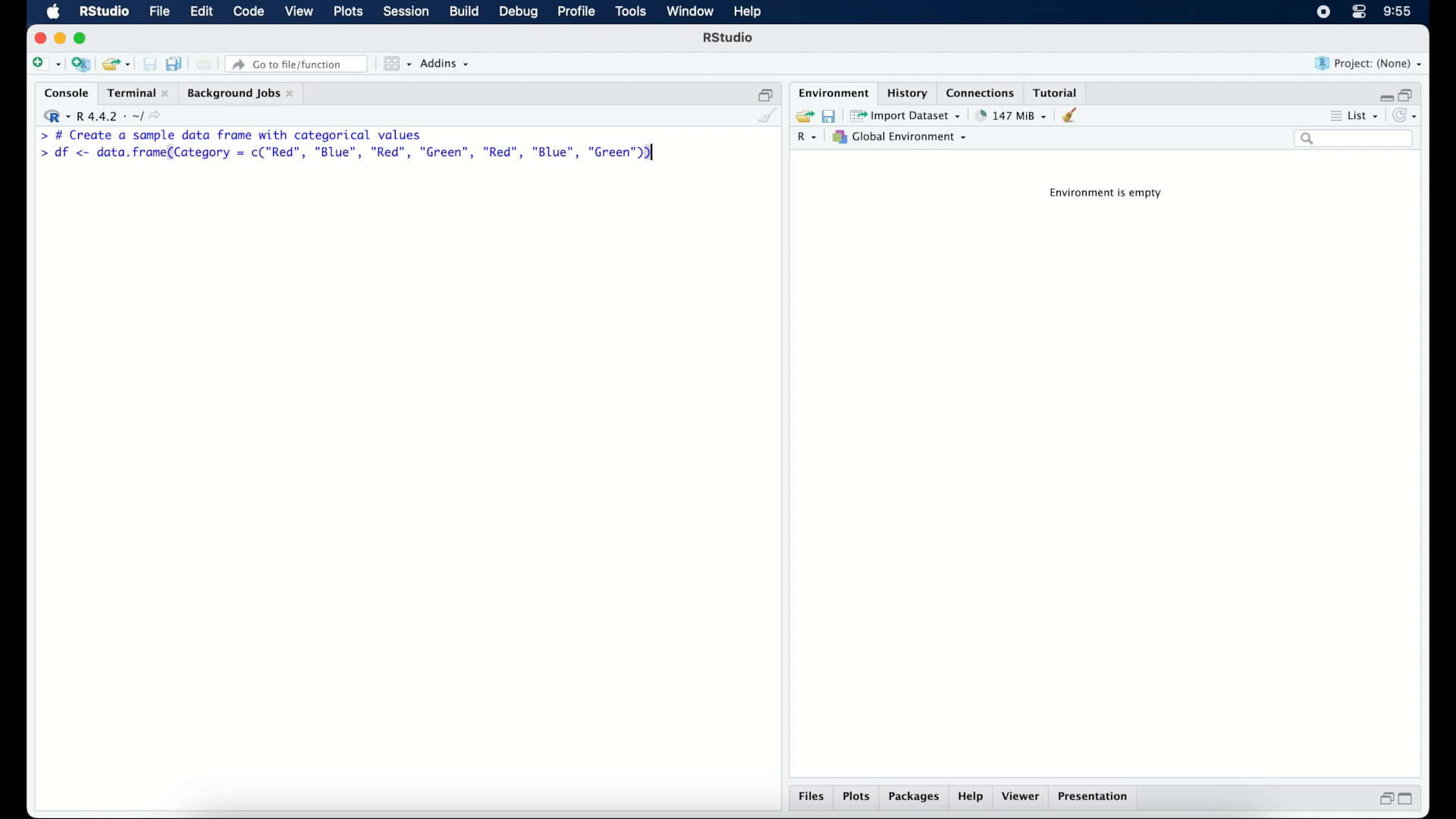 This screenshot has height=819, width=1456. What do you see at coordinates (833, 92) in the screenshot?
I see `environment` at bounding box center [833, 92].